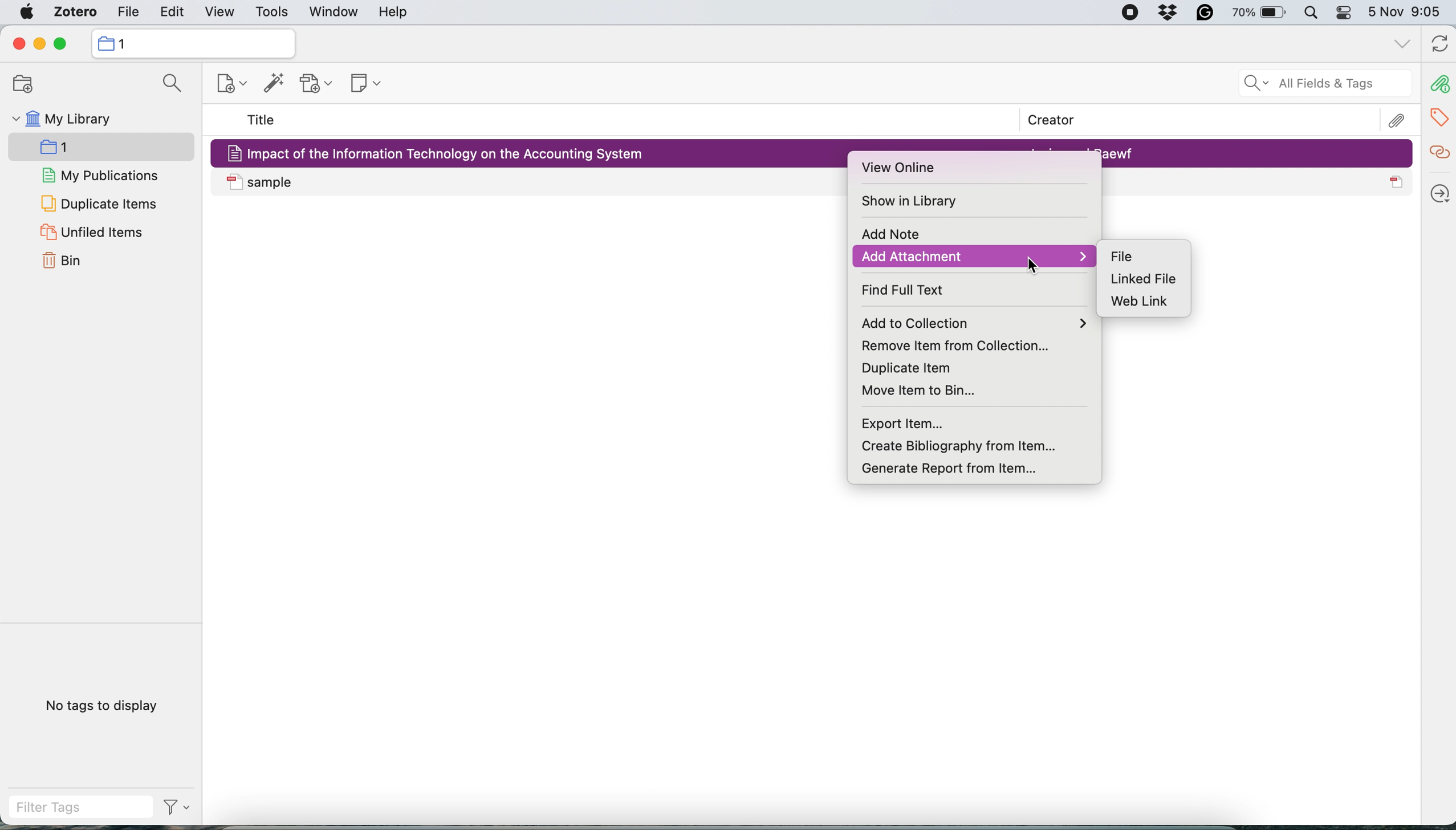 The image size is (1456, 830). I want to click on minimise, so click(39, 44).